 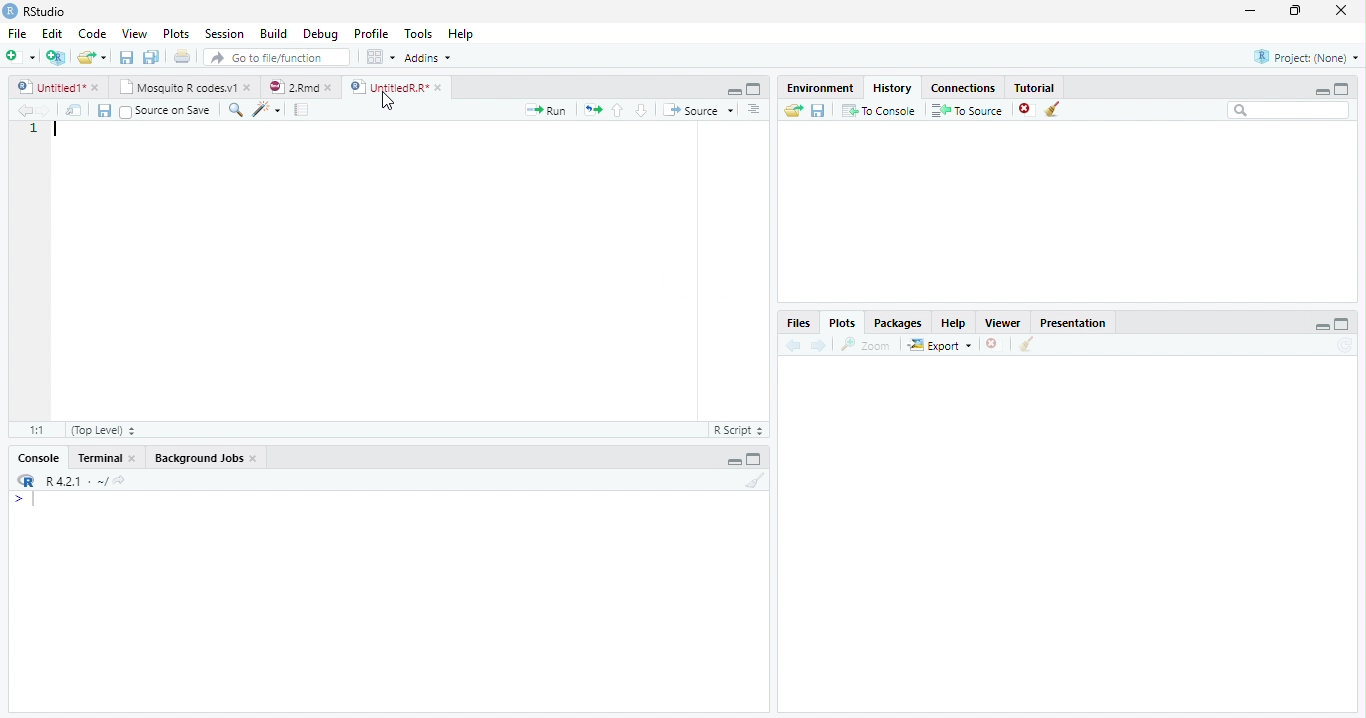 I want to click on Refresh current plot, so click(x=1345, y=345).